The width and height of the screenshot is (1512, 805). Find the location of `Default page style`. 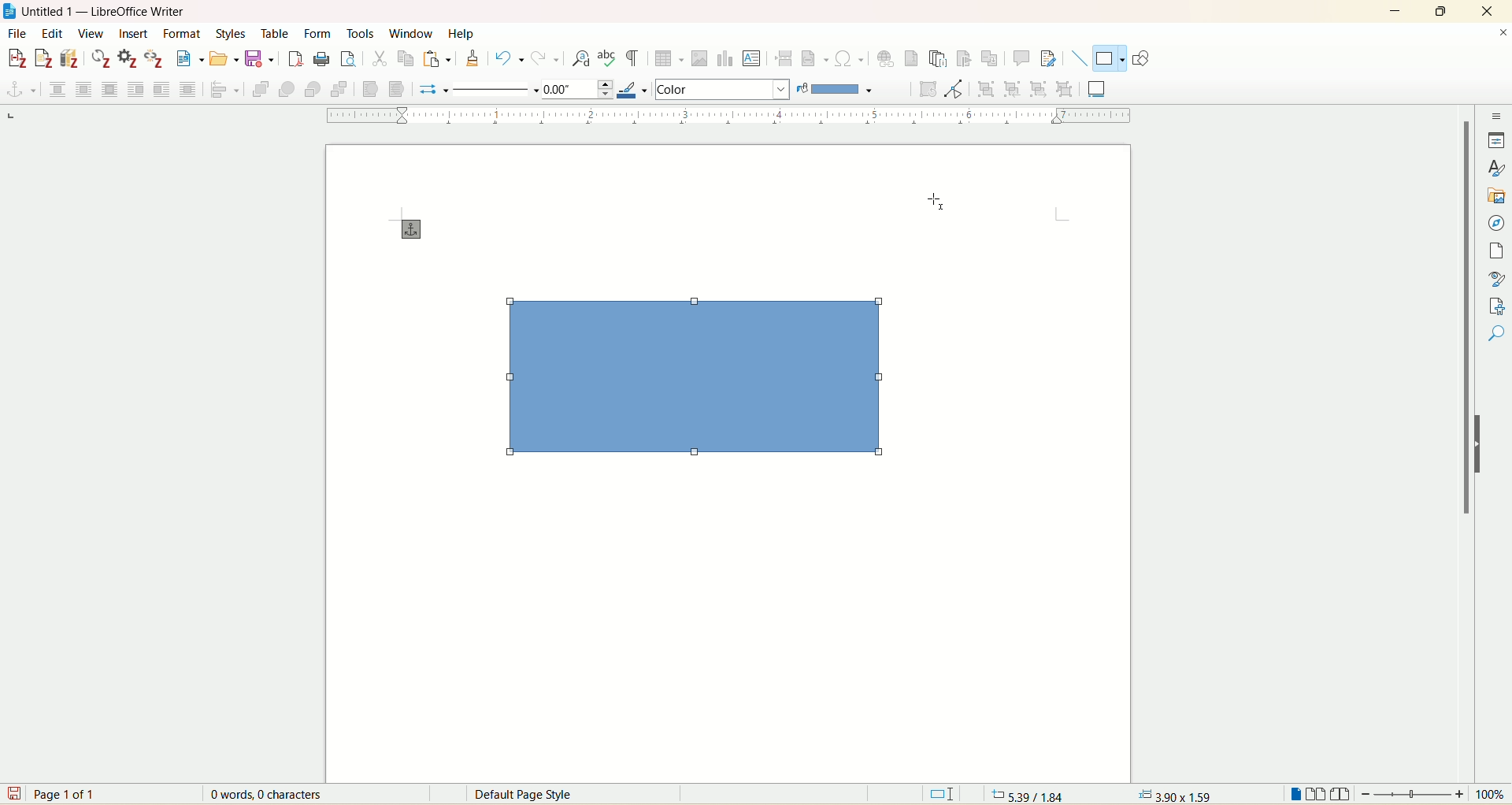

Default page style is located at coordinates (535, 795).